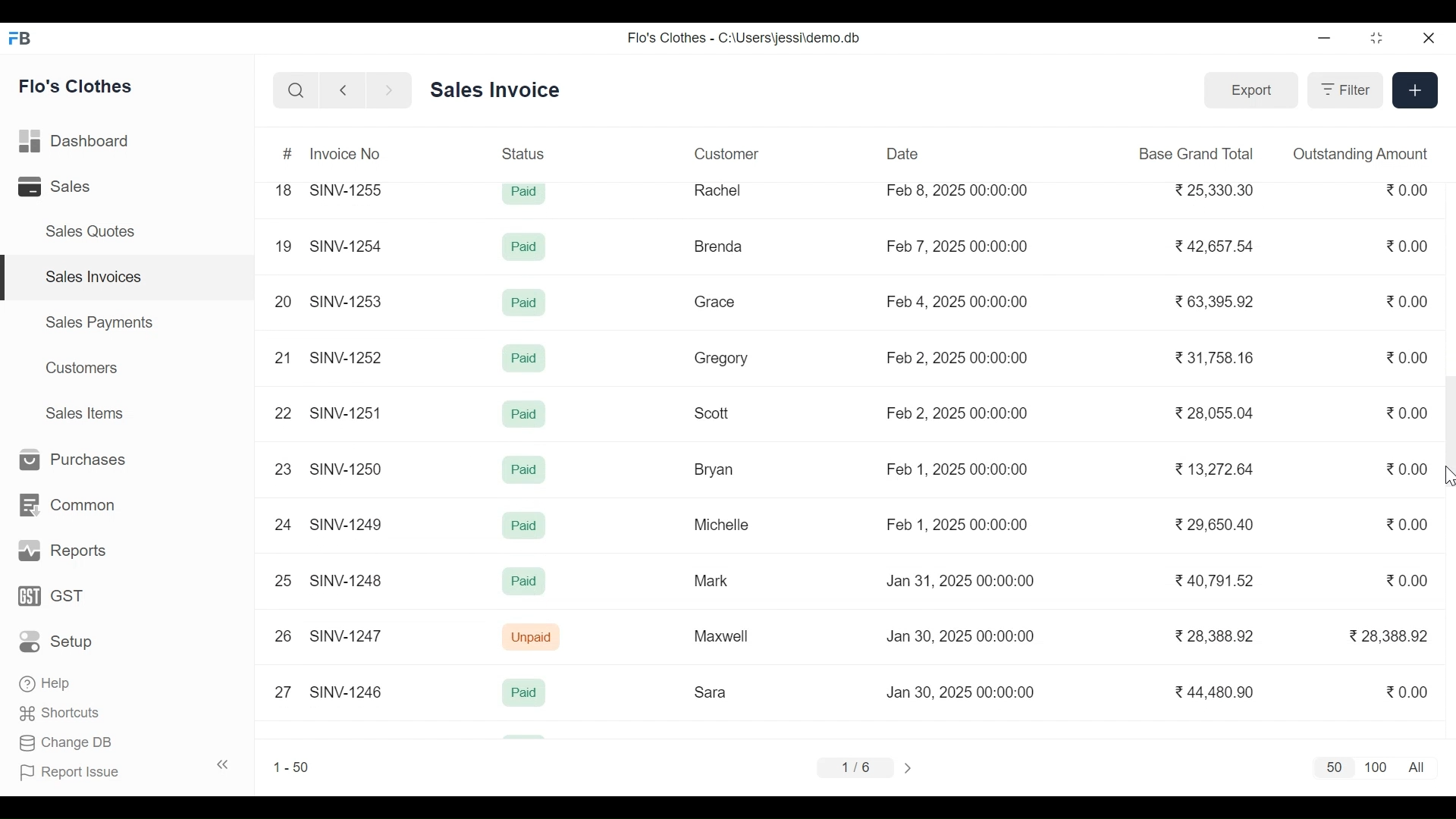 The width and height of the screenshot is (1456, 819). What do you see at coordinates (1219, 636) in the screenshot?
I see `28,388.92` at bounding box center [1219, 636].